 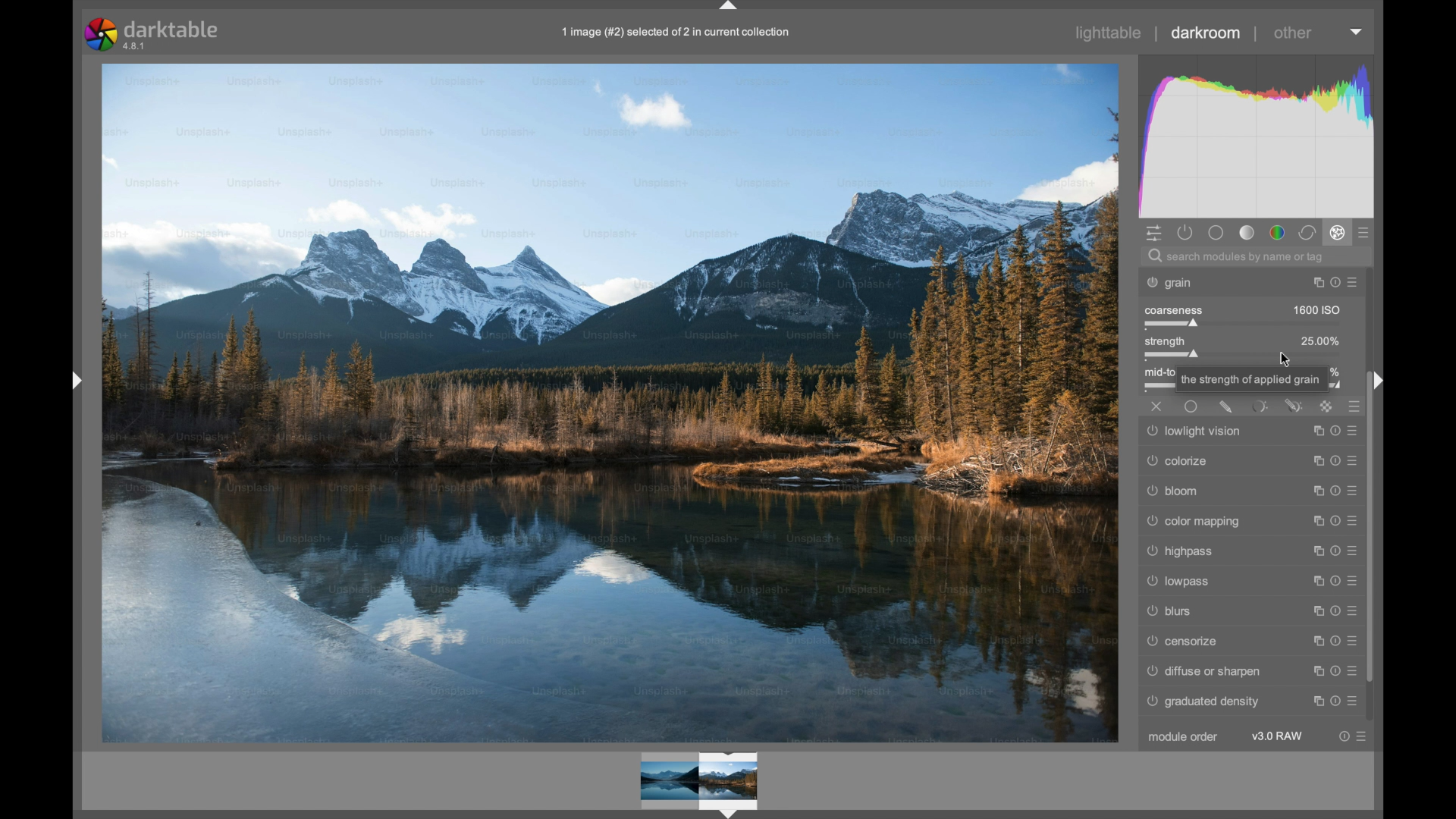 What do you see at coordinates (1337, 642) in the screenshot?
I see `reset parameters` at bounding box center [1337, 642].